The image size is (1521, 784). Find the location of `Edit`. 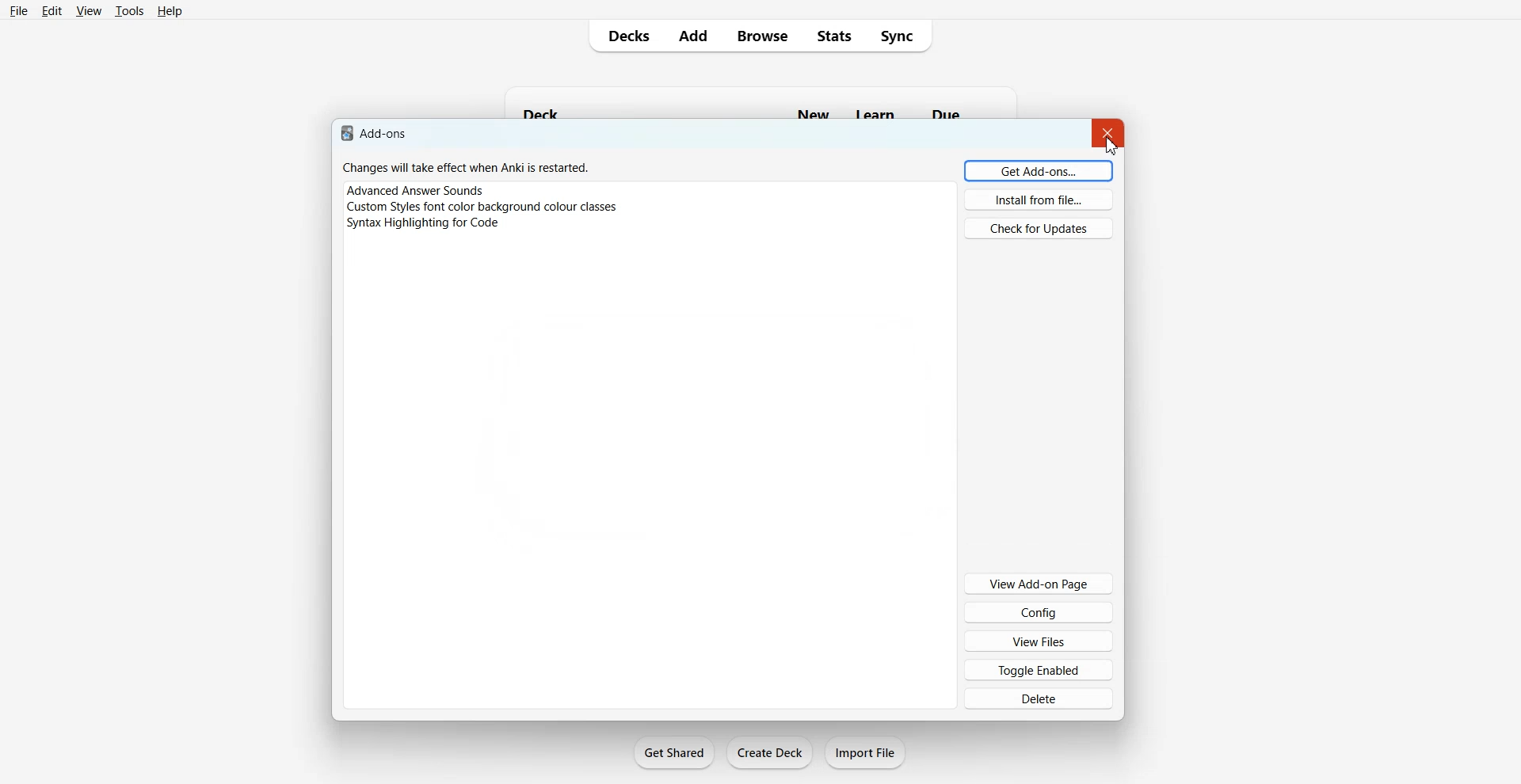

Edit is located at coordinates (51, 10).